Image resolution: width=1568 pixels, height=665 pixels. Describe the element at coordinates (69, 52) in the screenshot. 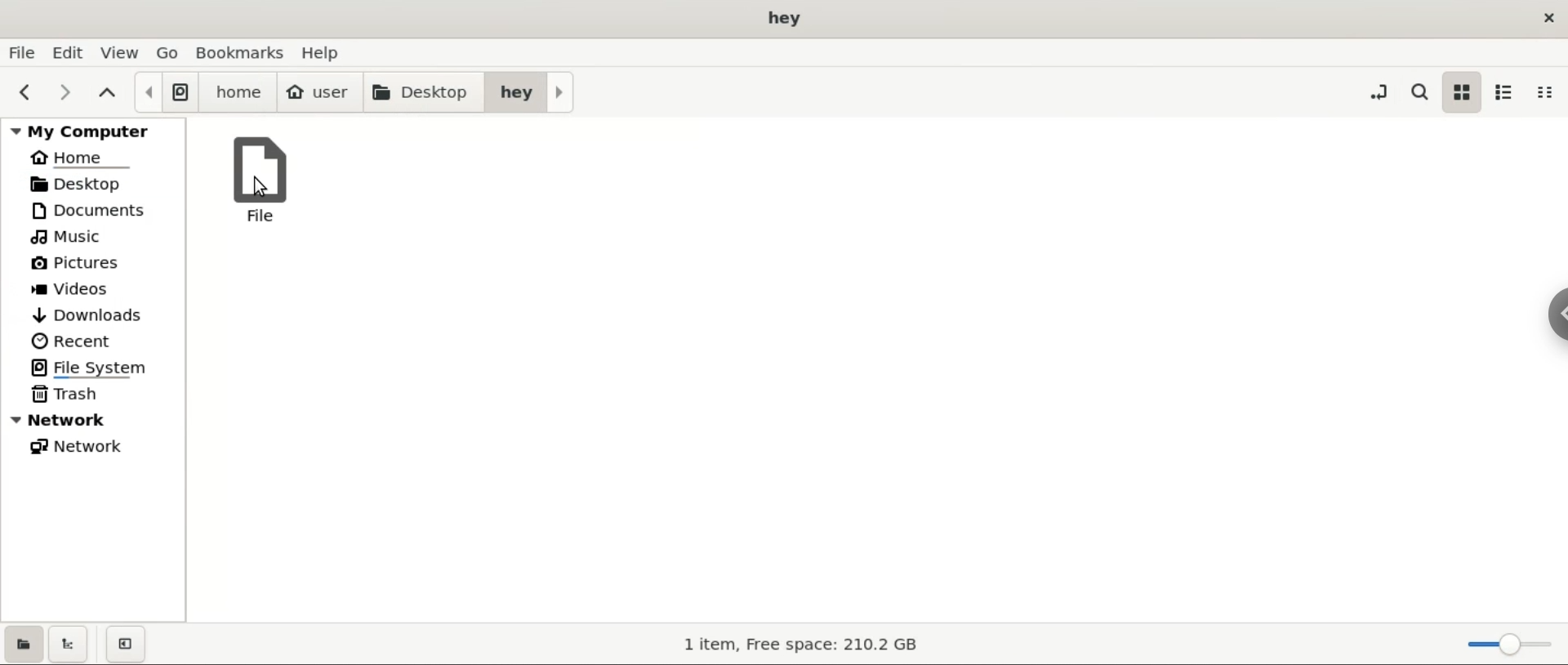

I see `edit` at that location.